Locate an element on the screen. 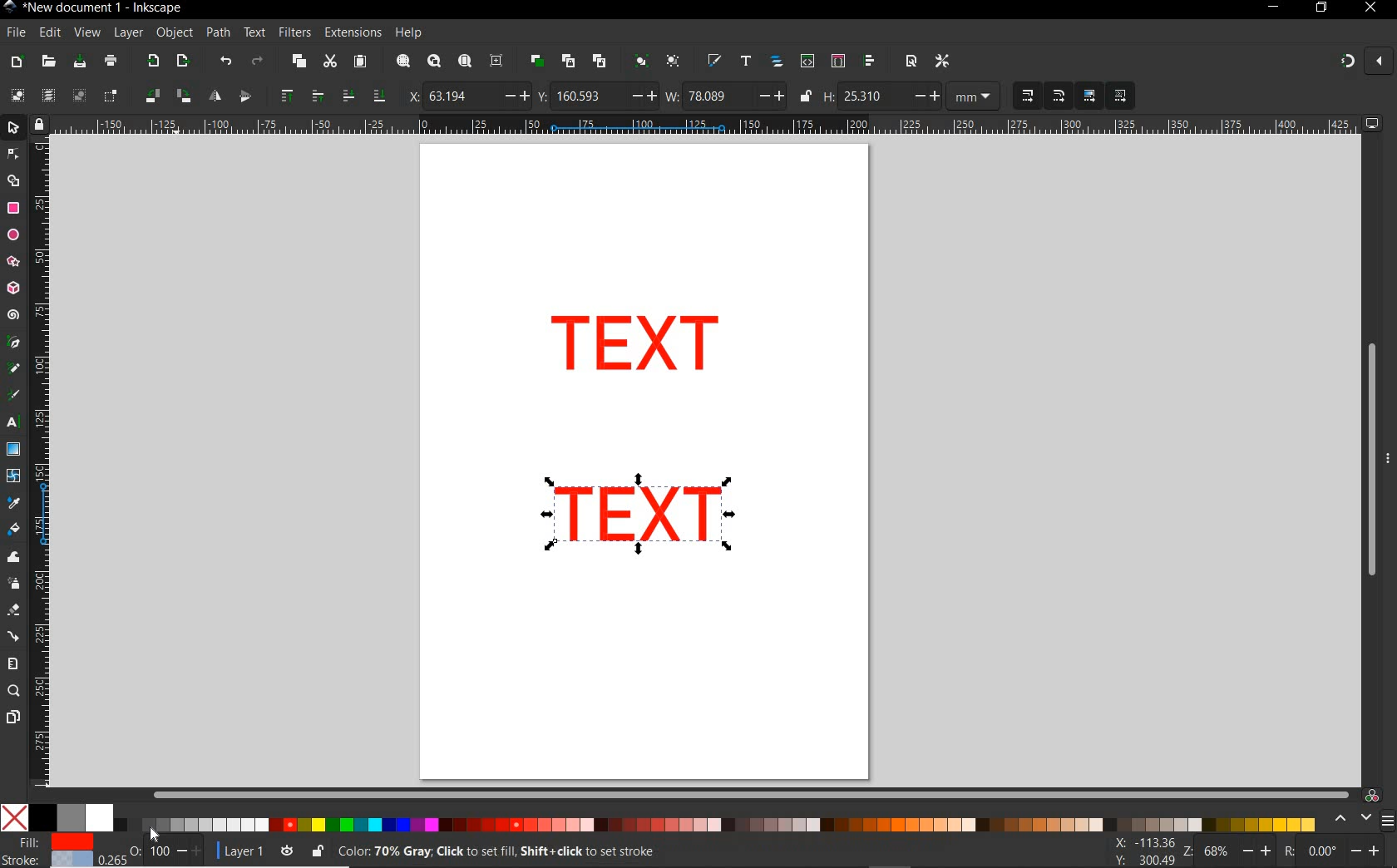 The height and width of the screenshot is (868, 1397). spiral tool is located at coordinates (13, 317).